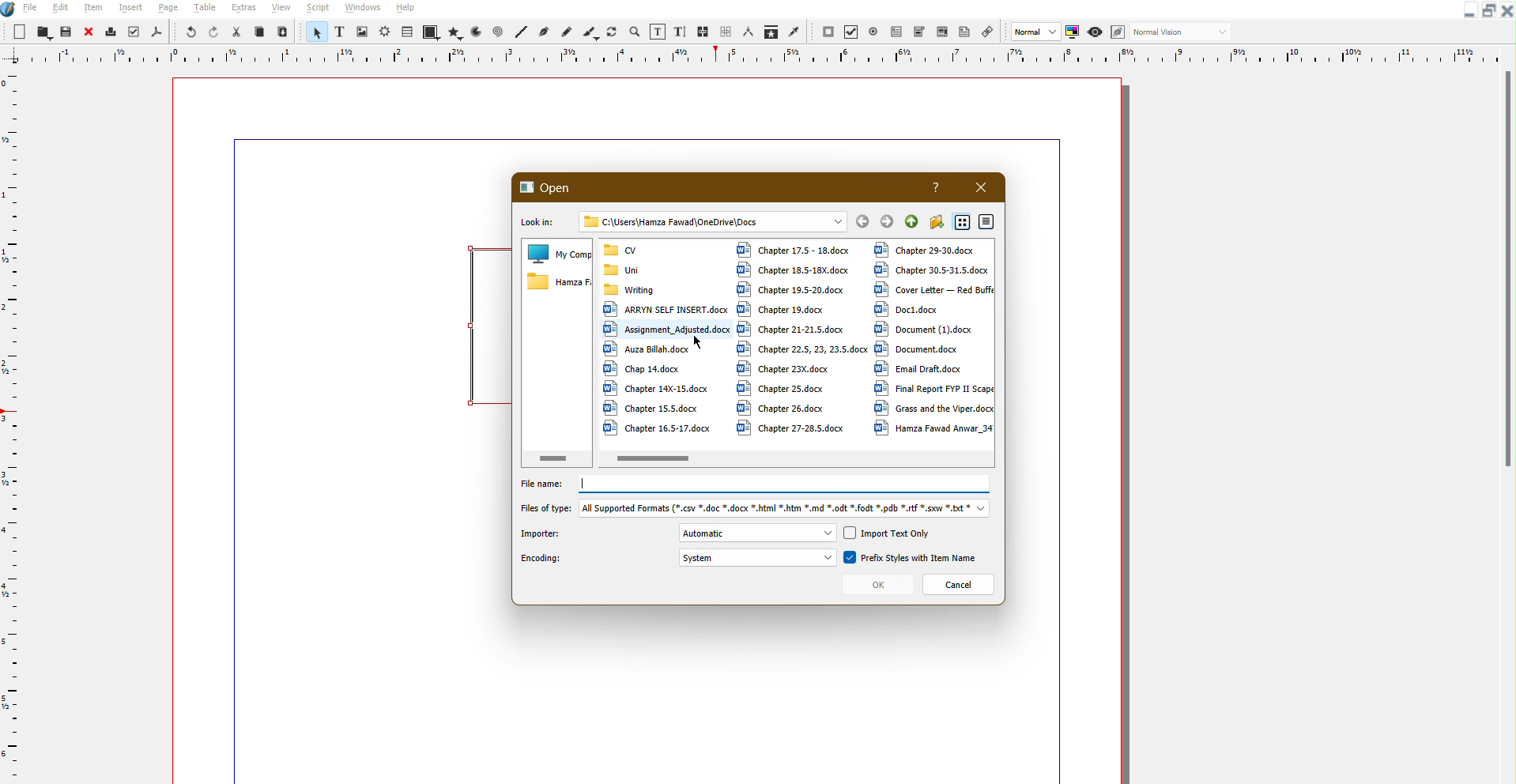  Describe the element at coordinates (283, 32) in the screenshot. I see `Paste` at that location.